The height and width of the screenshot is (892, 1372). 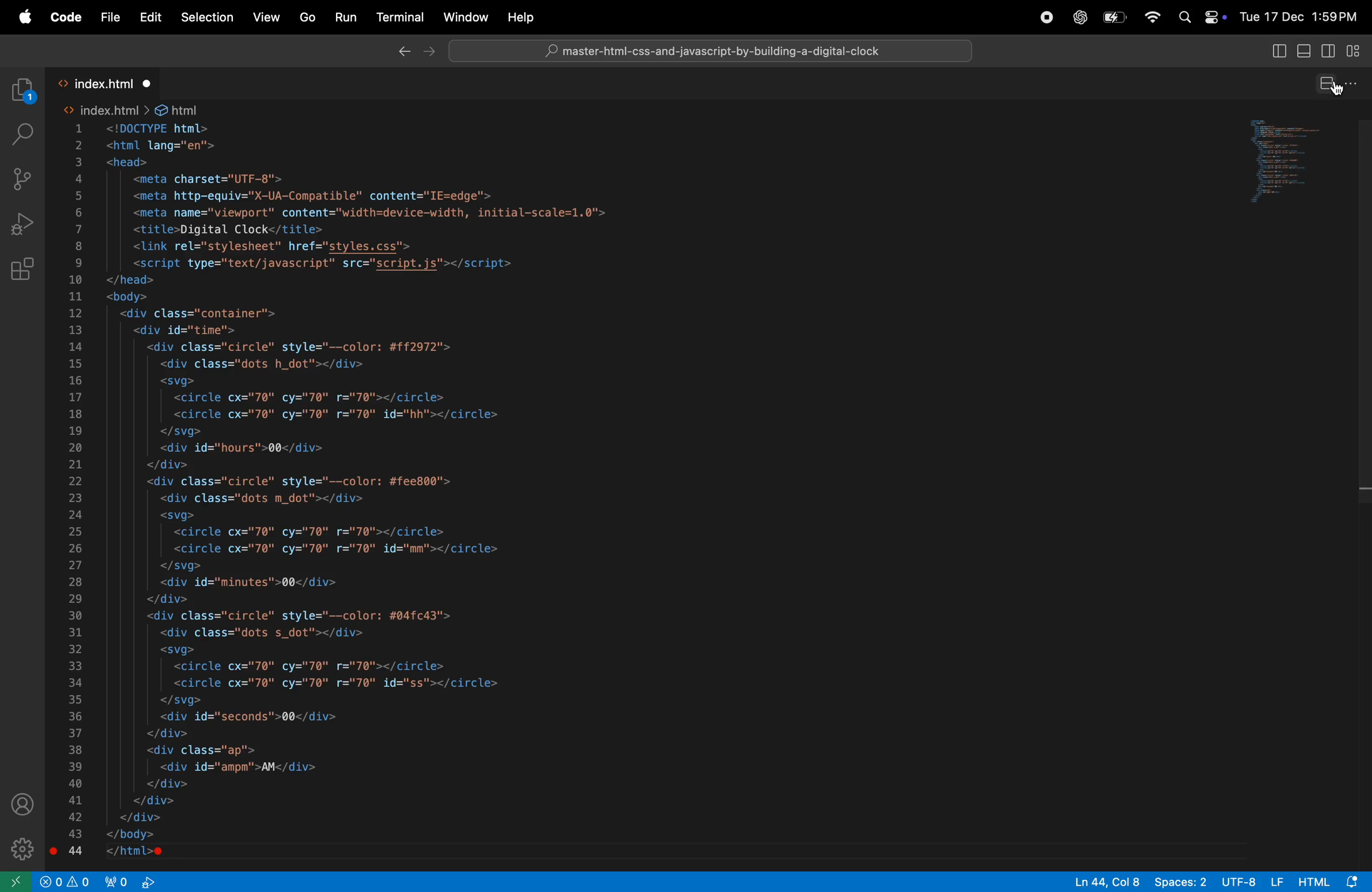 I want to click on window, so click(x=464, y=16).